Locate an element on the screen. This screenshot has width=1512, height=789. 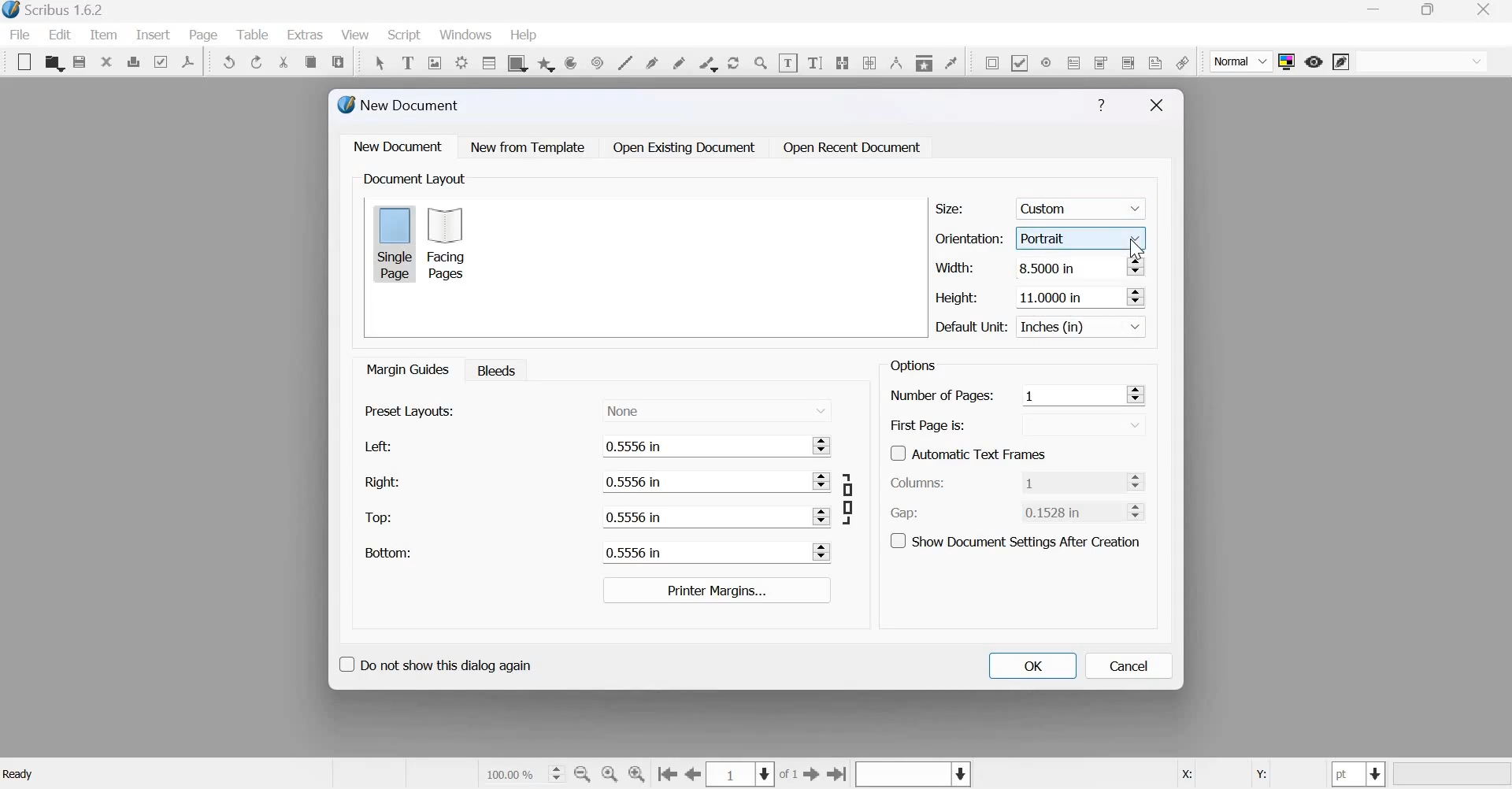
Scribus 1.6.2 - [Document-1] is located at coordinates (57, 11).